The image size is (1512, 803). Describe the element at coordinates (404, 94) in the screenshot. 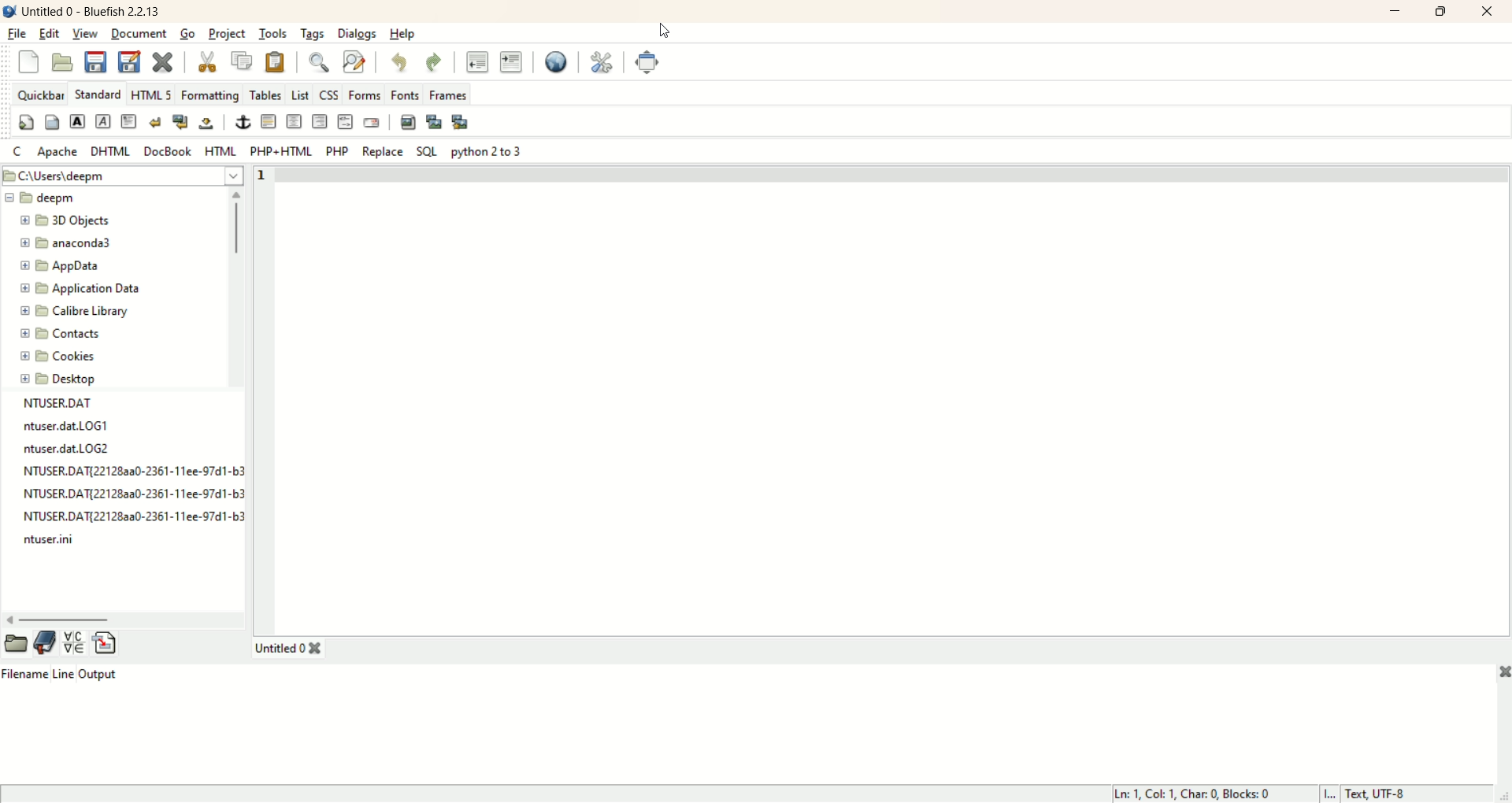

I see `fonts` at that location.